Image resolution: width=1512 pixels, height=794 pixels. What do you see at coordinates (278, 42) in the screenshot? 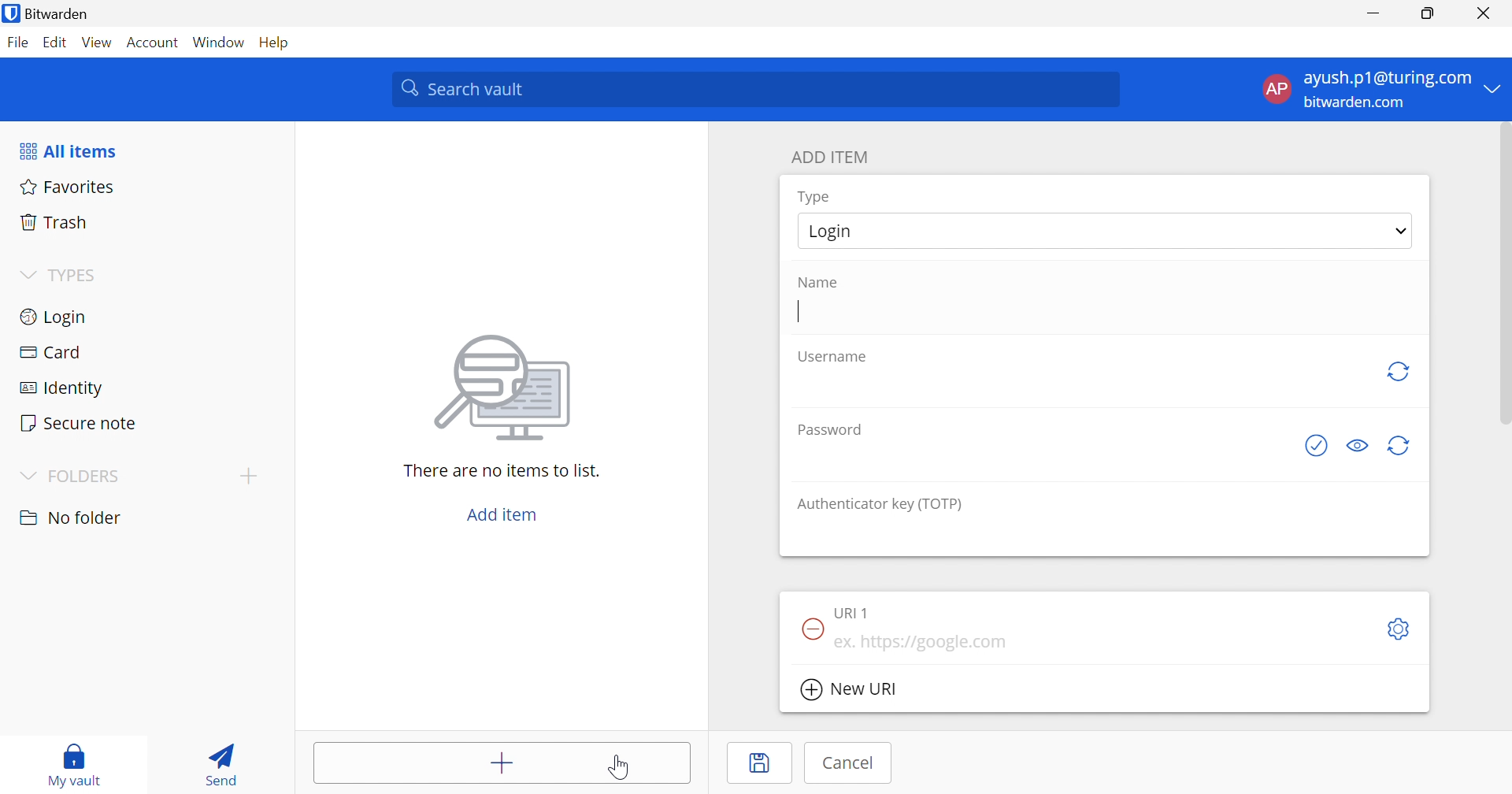
I see `Help` at bounding box center [278, 42].